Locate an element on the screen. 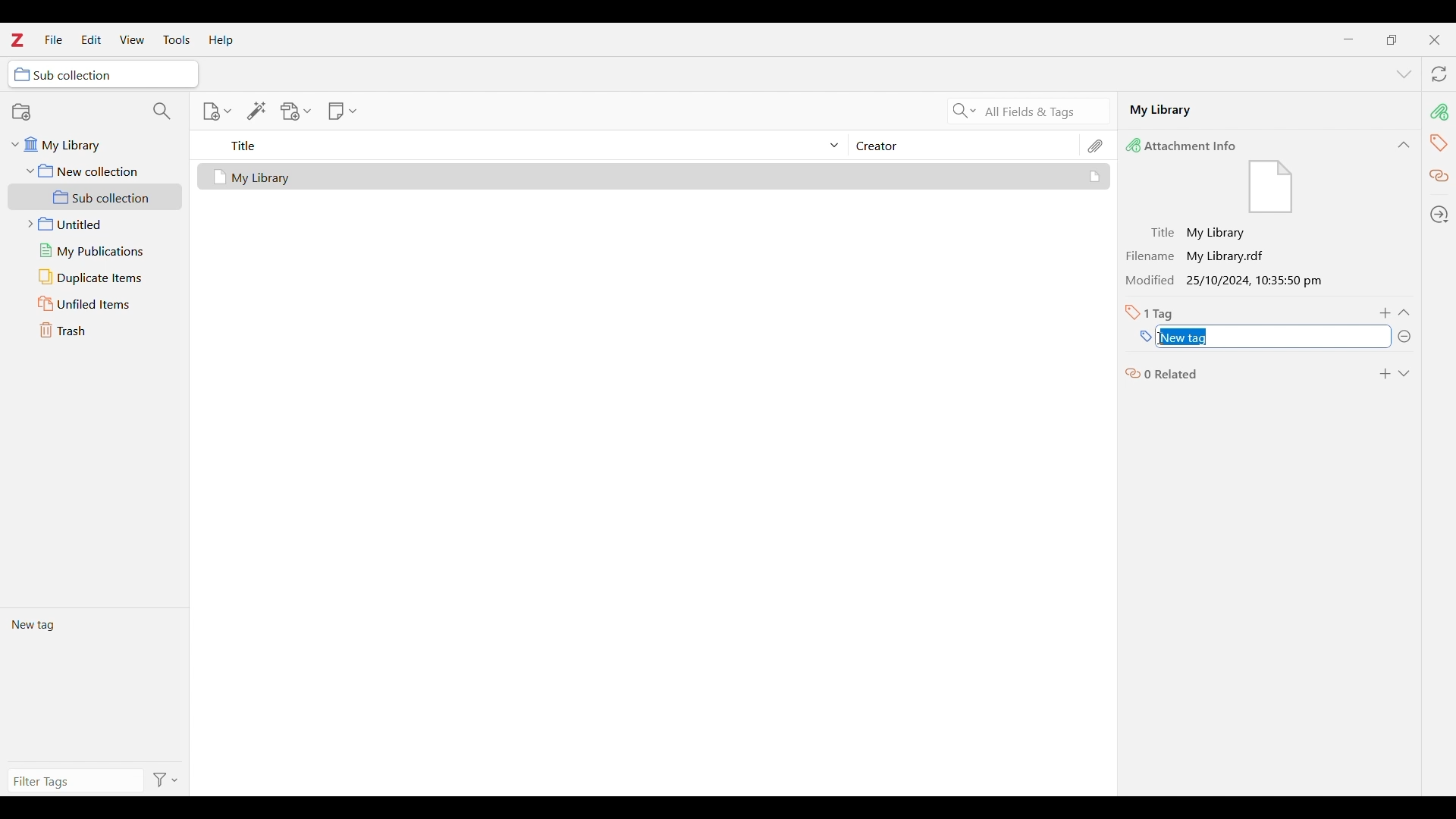  List all tabs is located at coordinates (1404, 75).